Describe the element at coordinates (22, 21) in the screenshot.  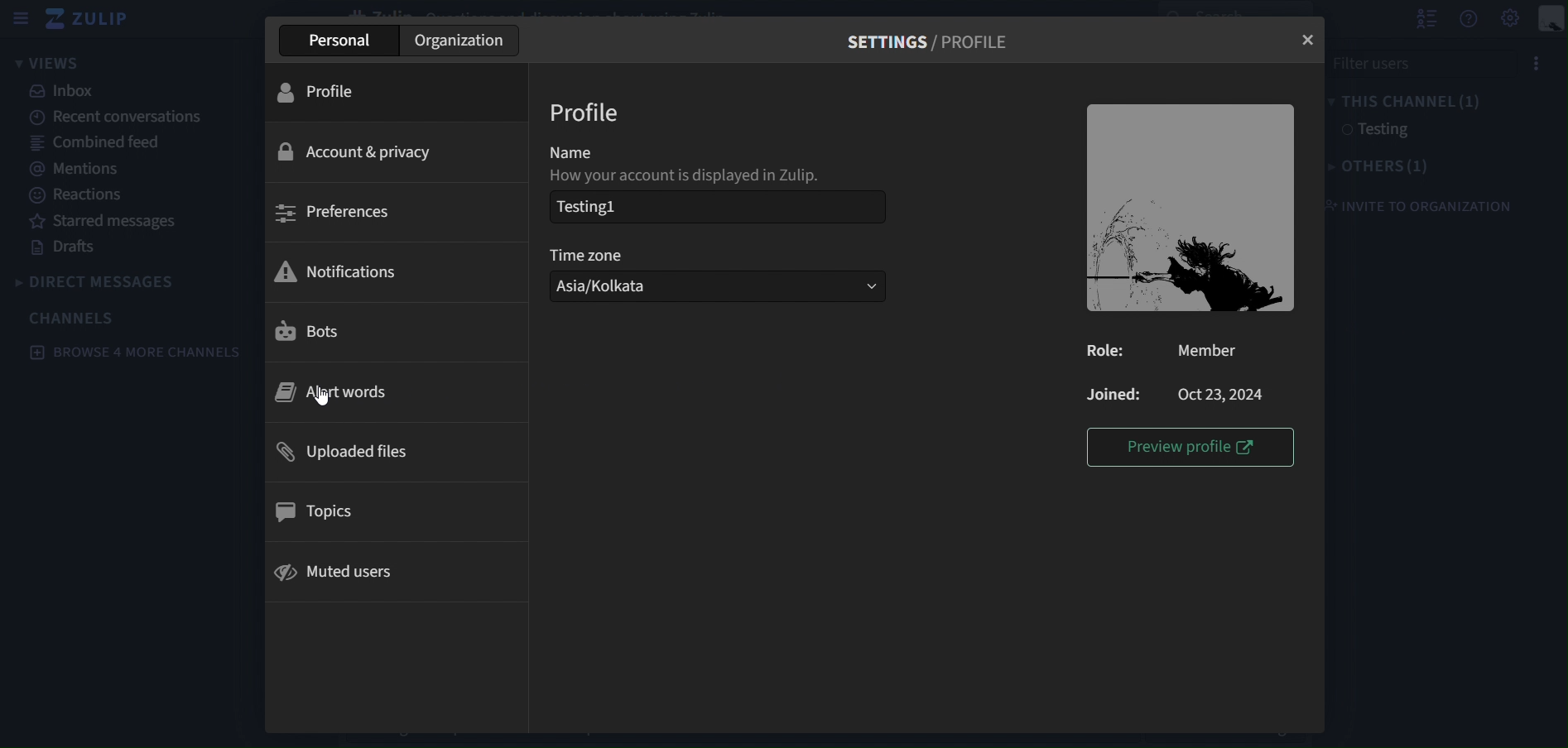
I see `hide sidebar` at that location.